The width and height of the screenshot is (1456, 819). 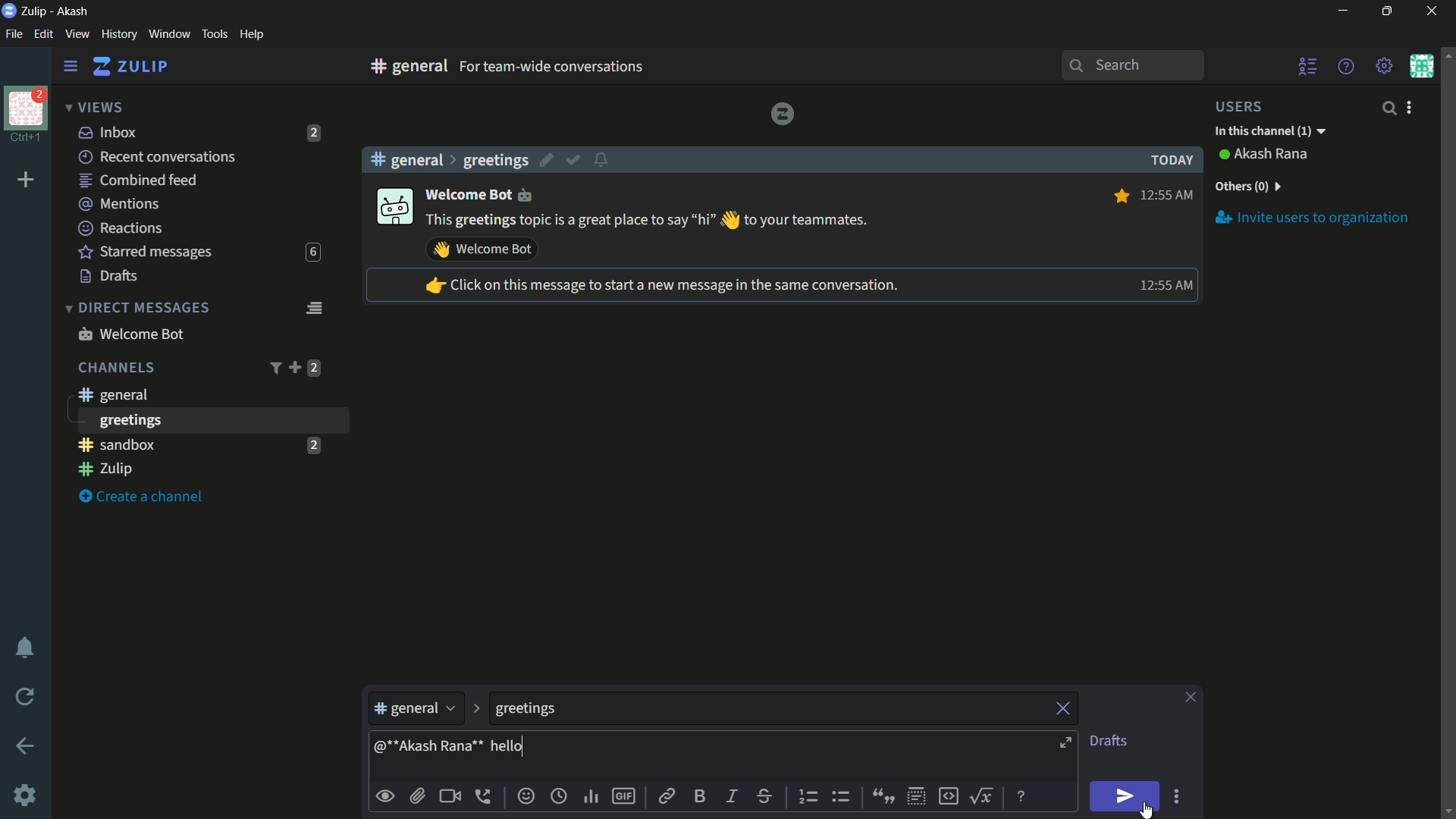 I want to click on inbox, so click(x=108, y=132).